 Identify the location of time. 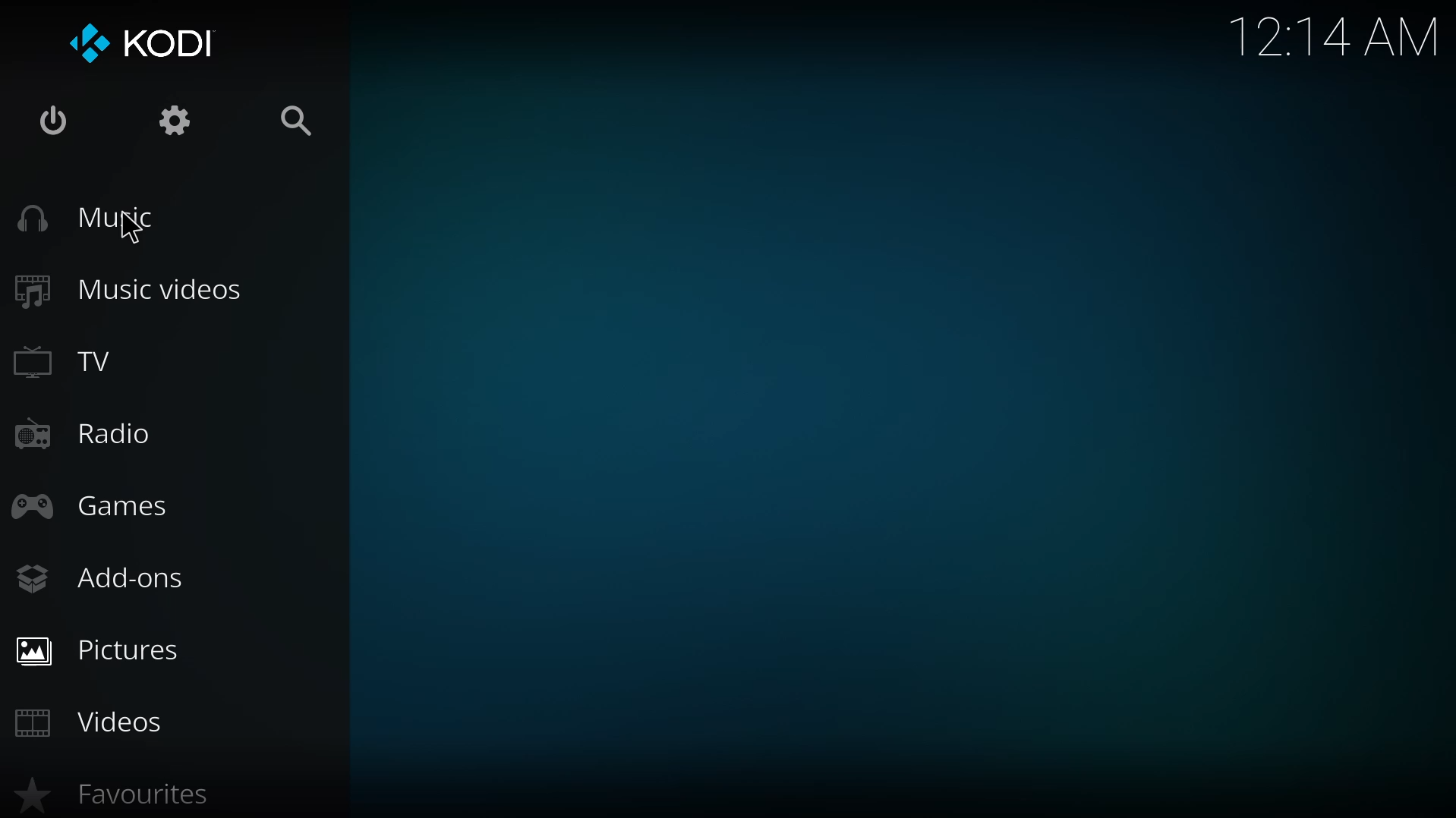
(1337, 36).